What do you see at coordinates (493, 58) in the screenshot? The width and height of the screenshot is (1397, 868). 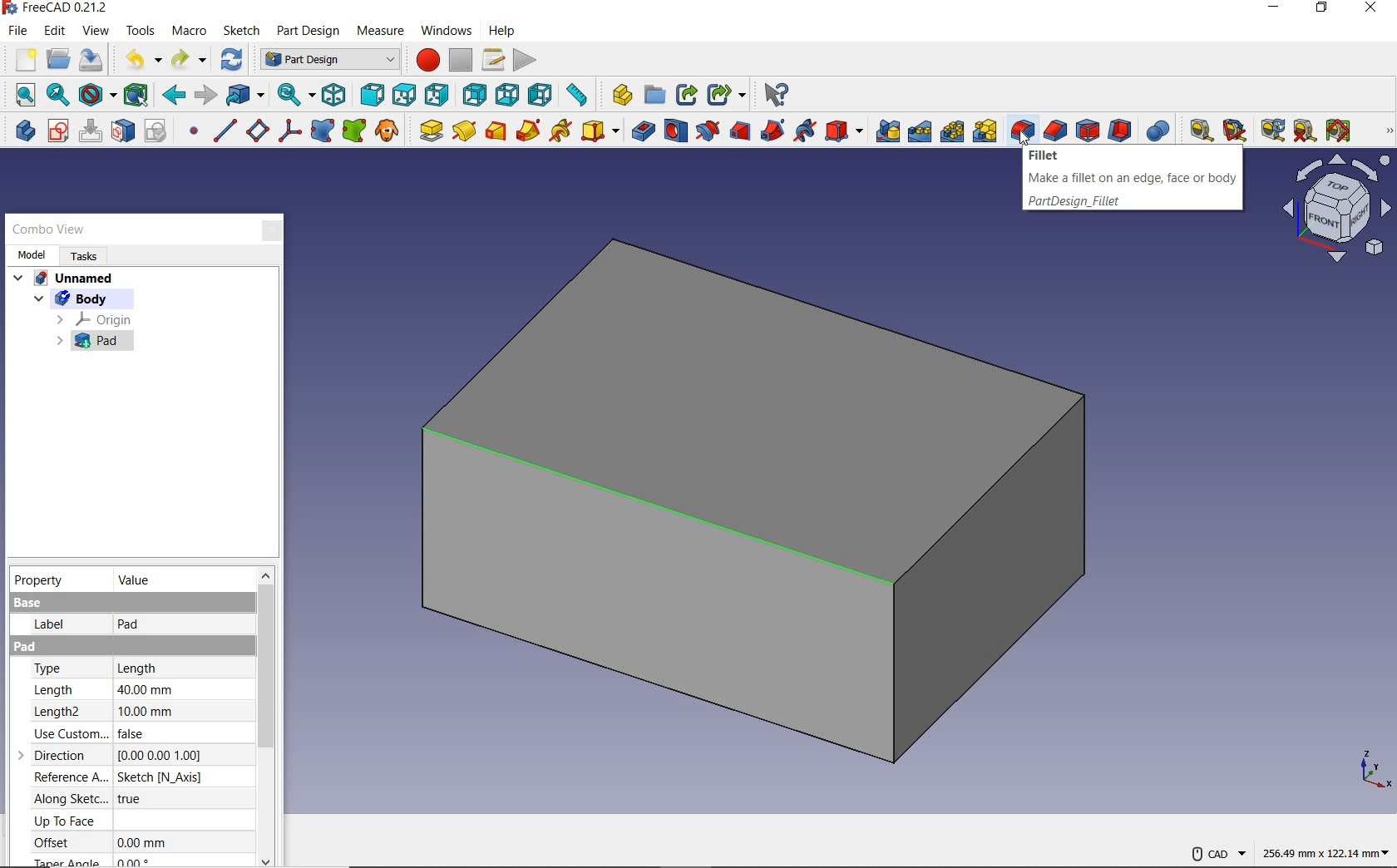 I see `macros` at bounding box center [493, 58].